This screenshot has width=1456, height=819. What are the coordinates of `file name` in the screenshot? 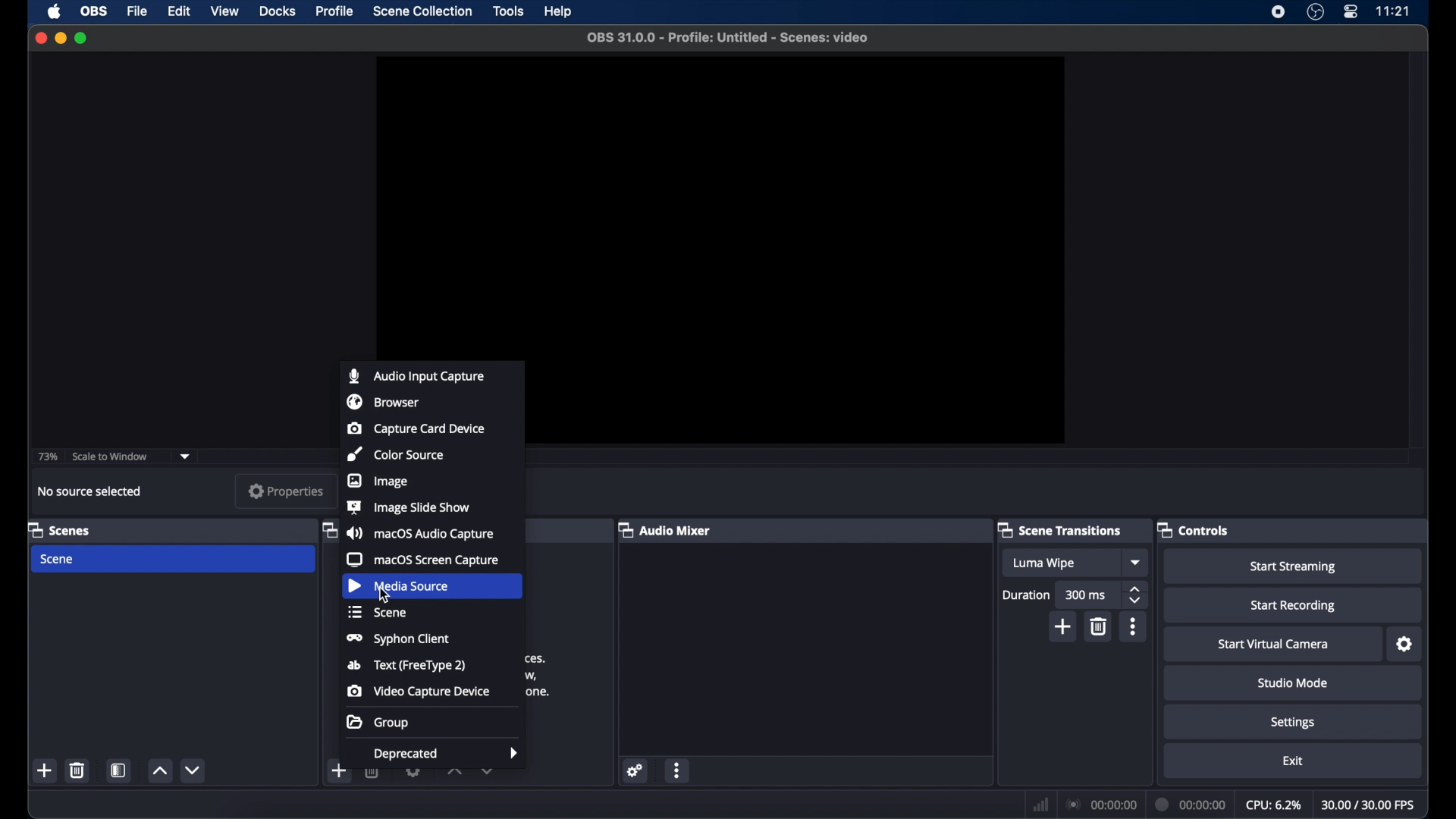 It's located at (728, 38).